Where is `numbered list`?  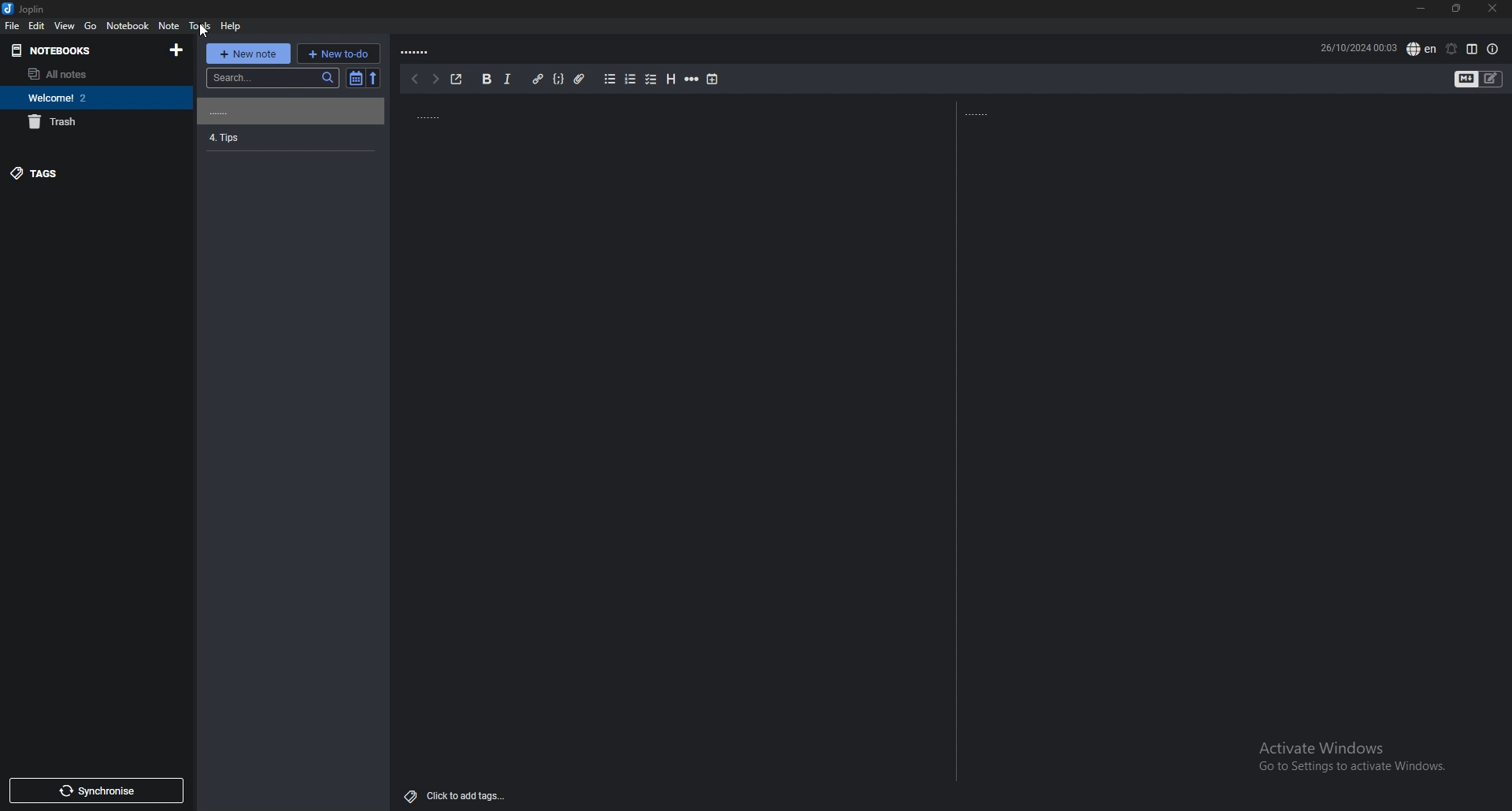
numbered list is located at coordinates (631, 80).